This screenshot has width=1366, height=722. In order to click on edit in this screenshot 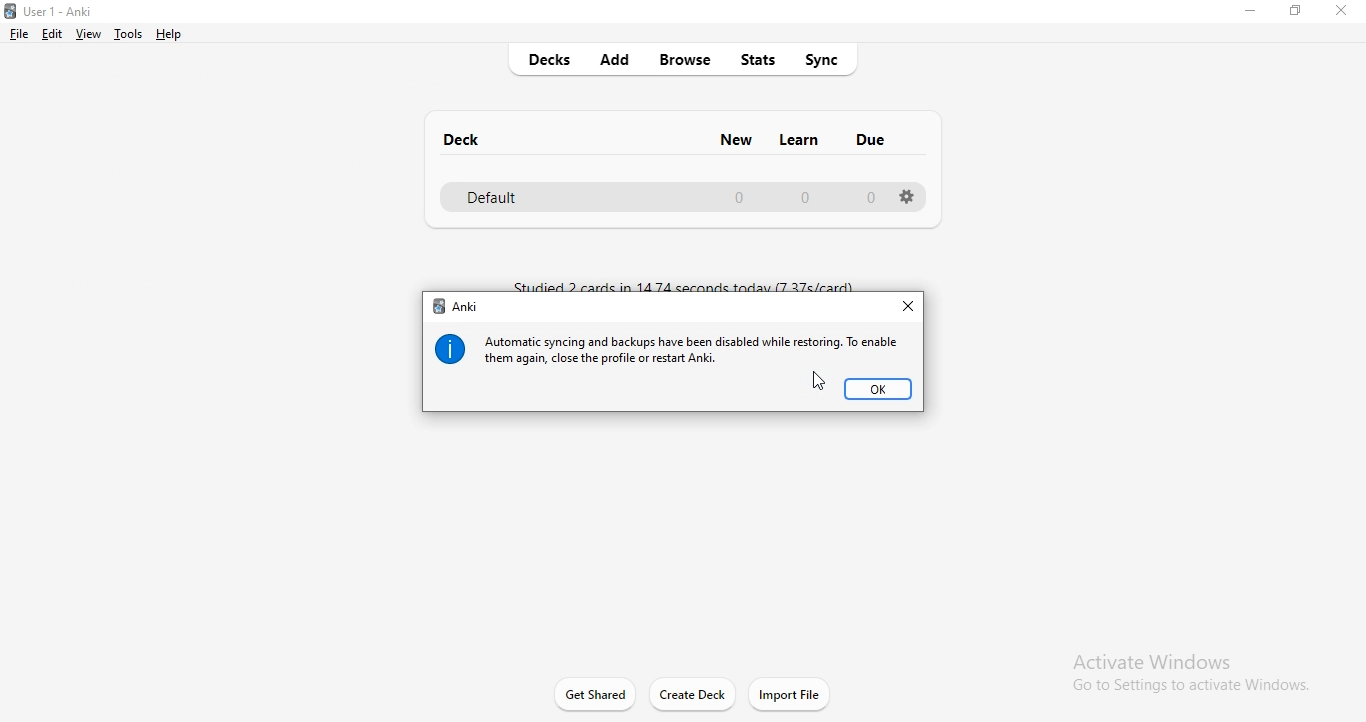, I will do `click(53, 34)`.